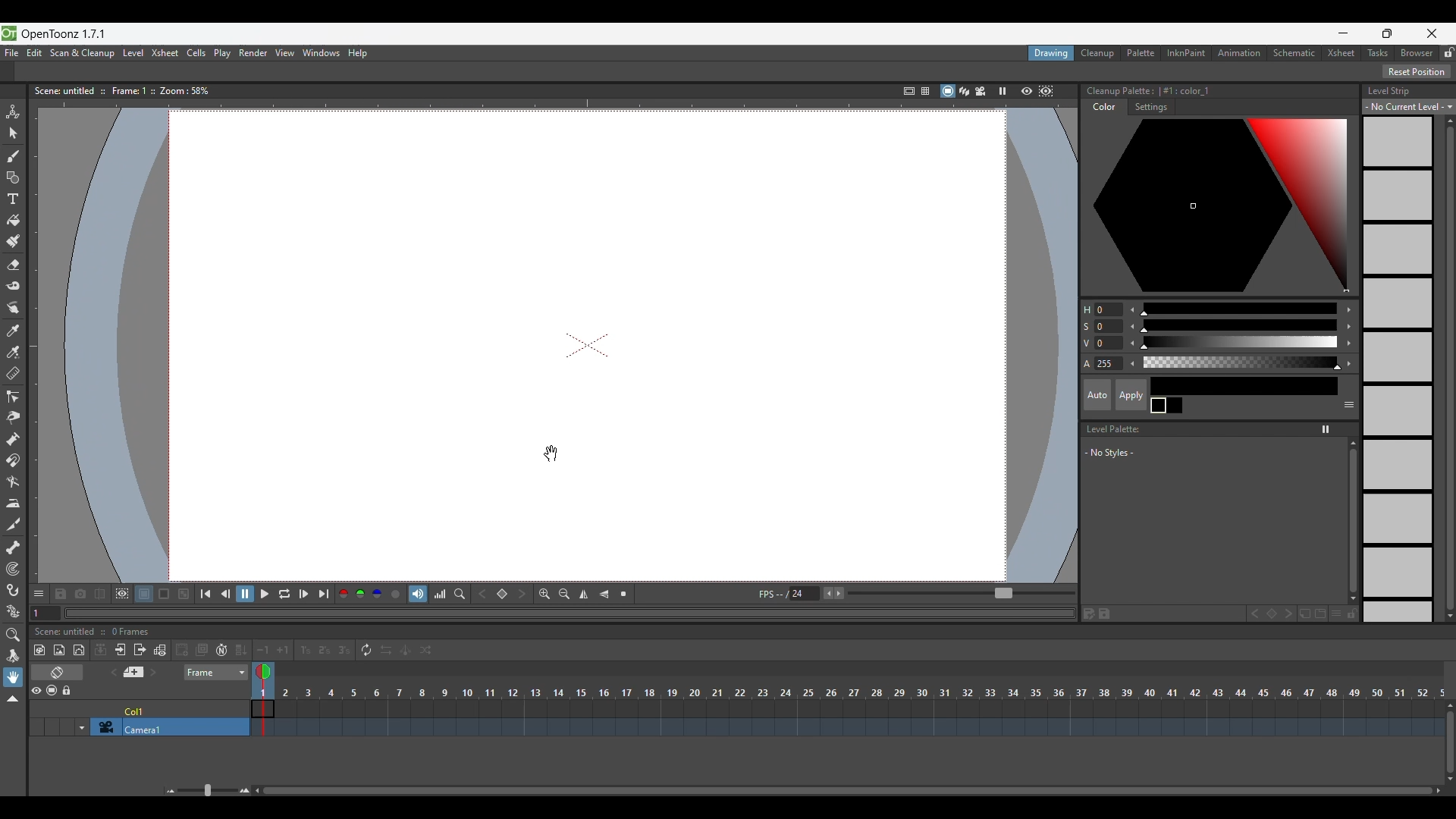 This screenshot has height=819, width=1456. What do you see at coordinates (13, 482) in the screenshot?
I see `Bender tool` at bounding box center [13, 482].